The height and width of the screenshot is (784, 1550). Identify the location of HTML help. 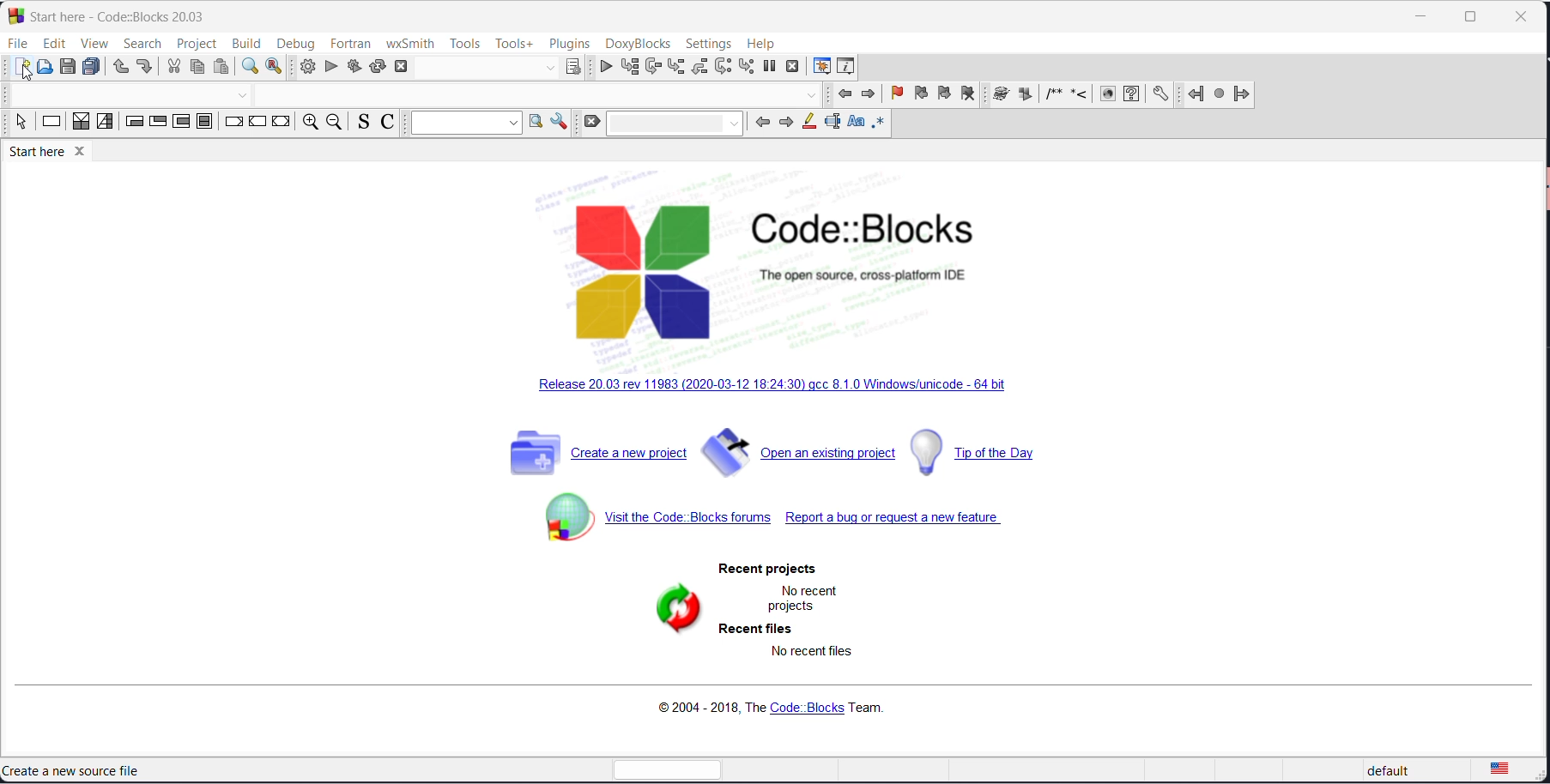
(1135, 95).